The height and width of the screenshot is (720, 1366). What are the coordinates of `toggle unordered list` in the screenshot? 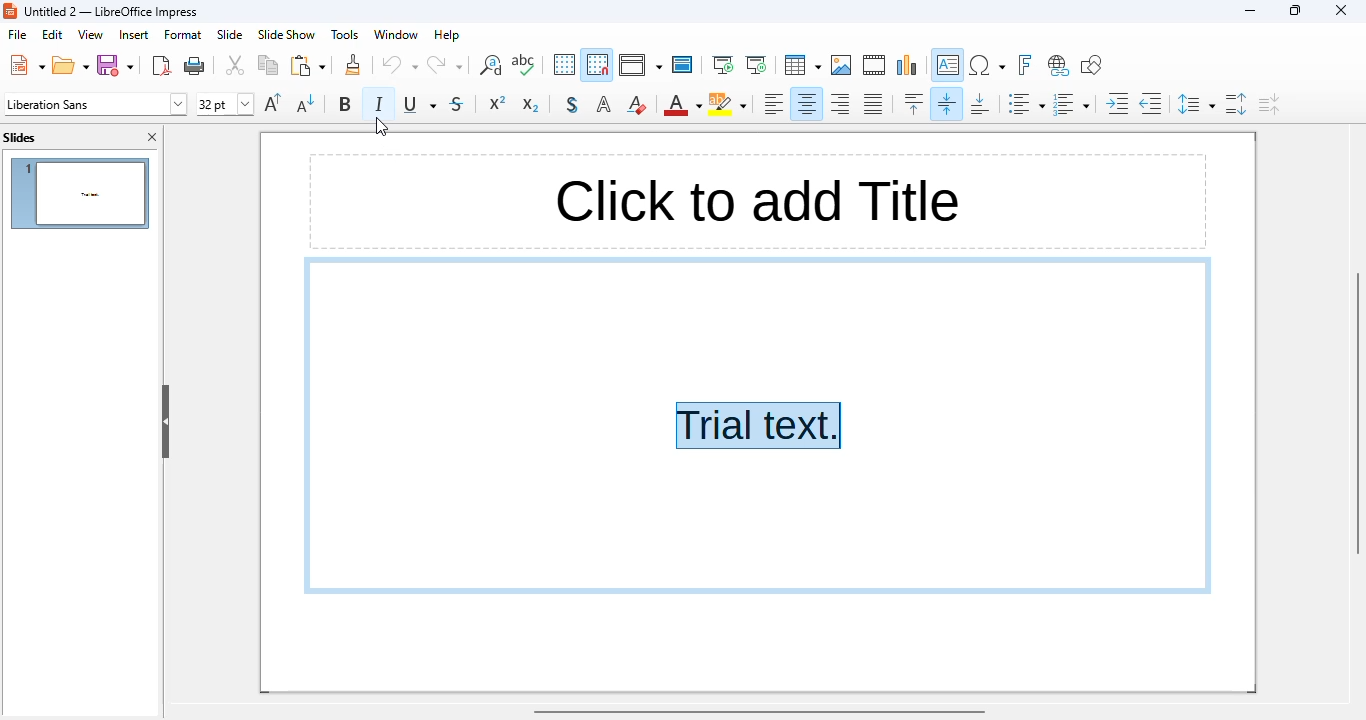 It's located at (1025, 103).